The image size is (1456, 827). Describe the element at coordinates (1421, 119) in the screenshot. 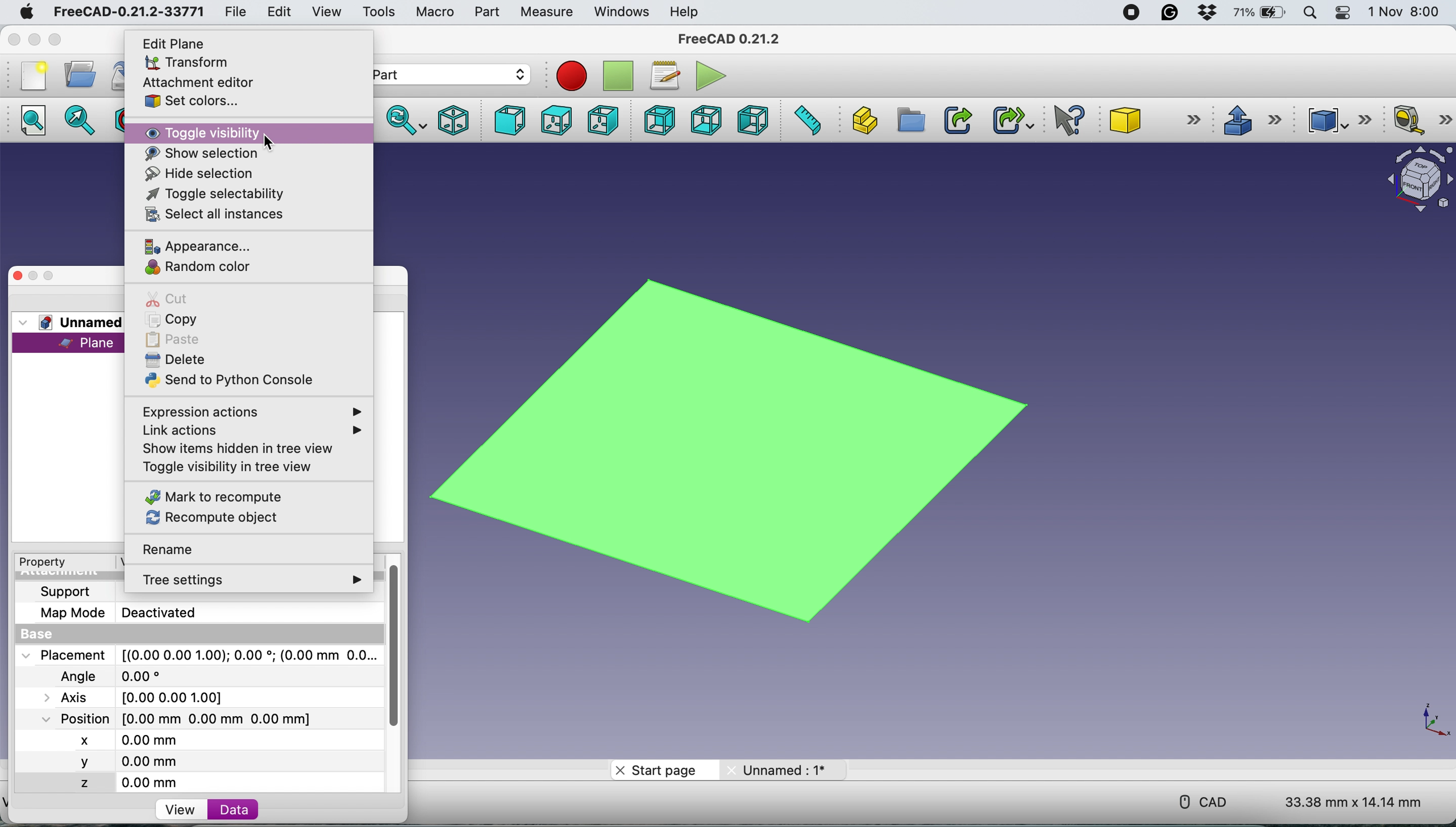

I see `measure linear` at that location.